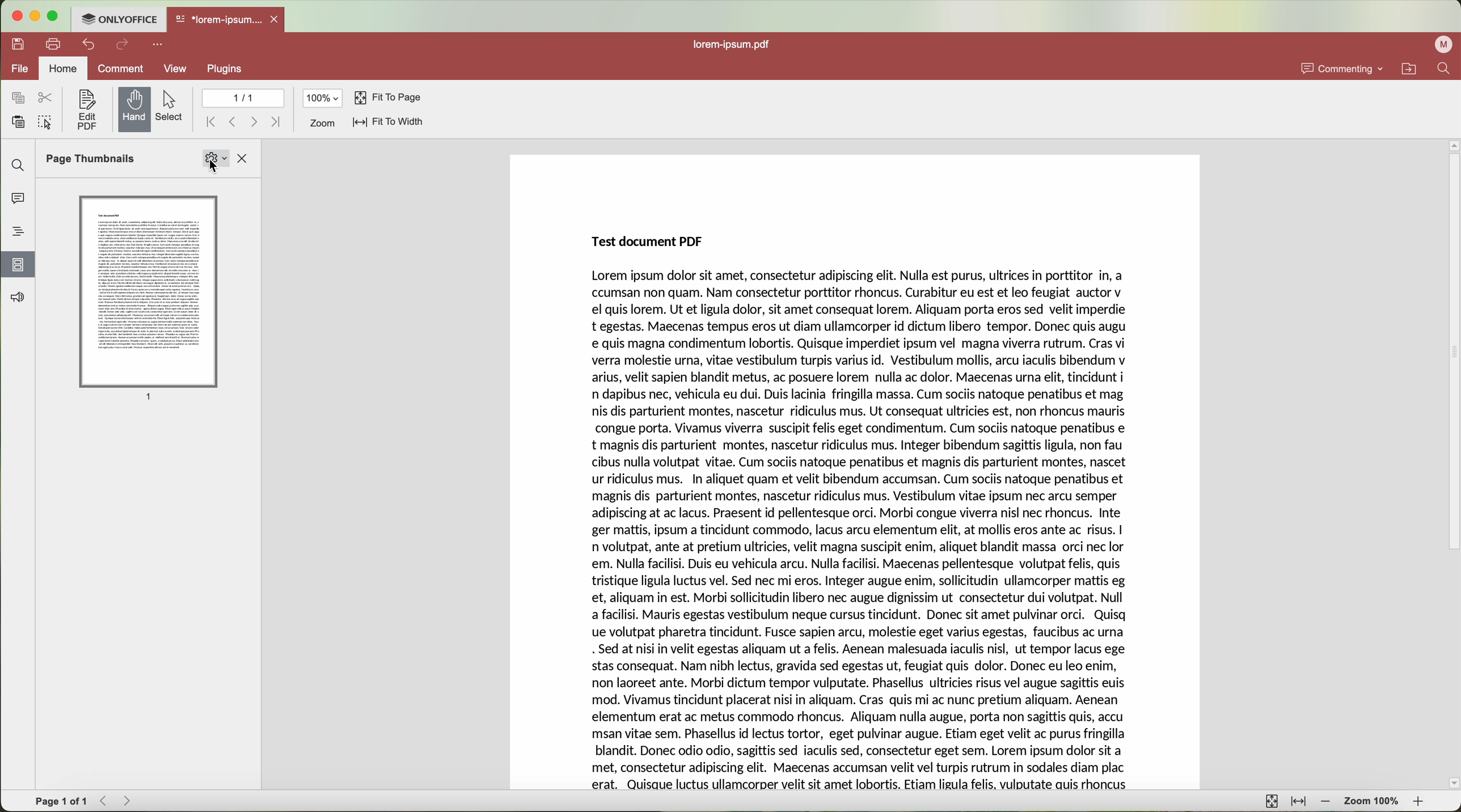 Image resolution: width=1461 pixels, height=812 pixels. I want to click on cut, so click(47, 98).